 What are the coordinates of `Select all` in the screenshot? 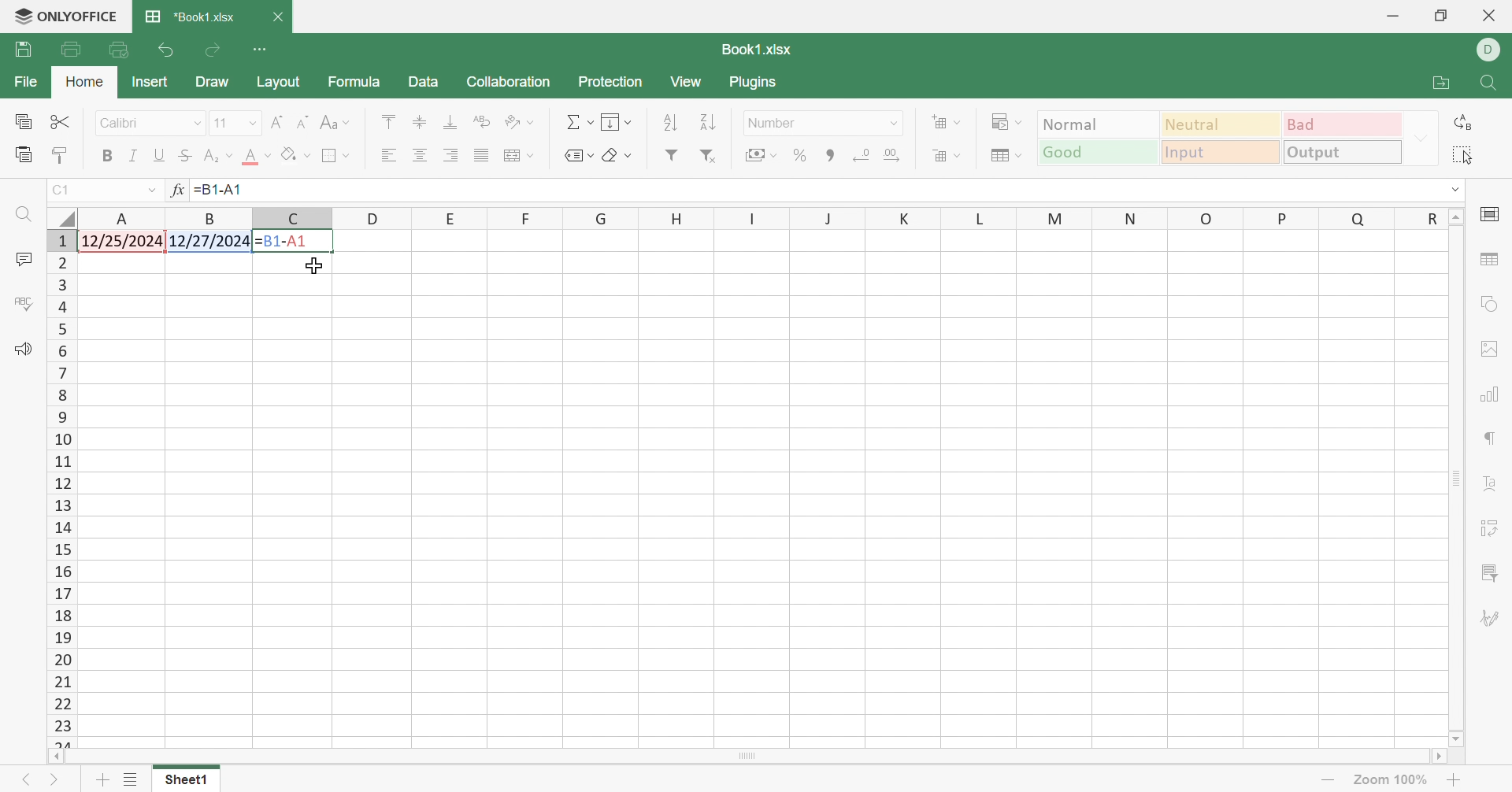 It's located at (1458, 154).